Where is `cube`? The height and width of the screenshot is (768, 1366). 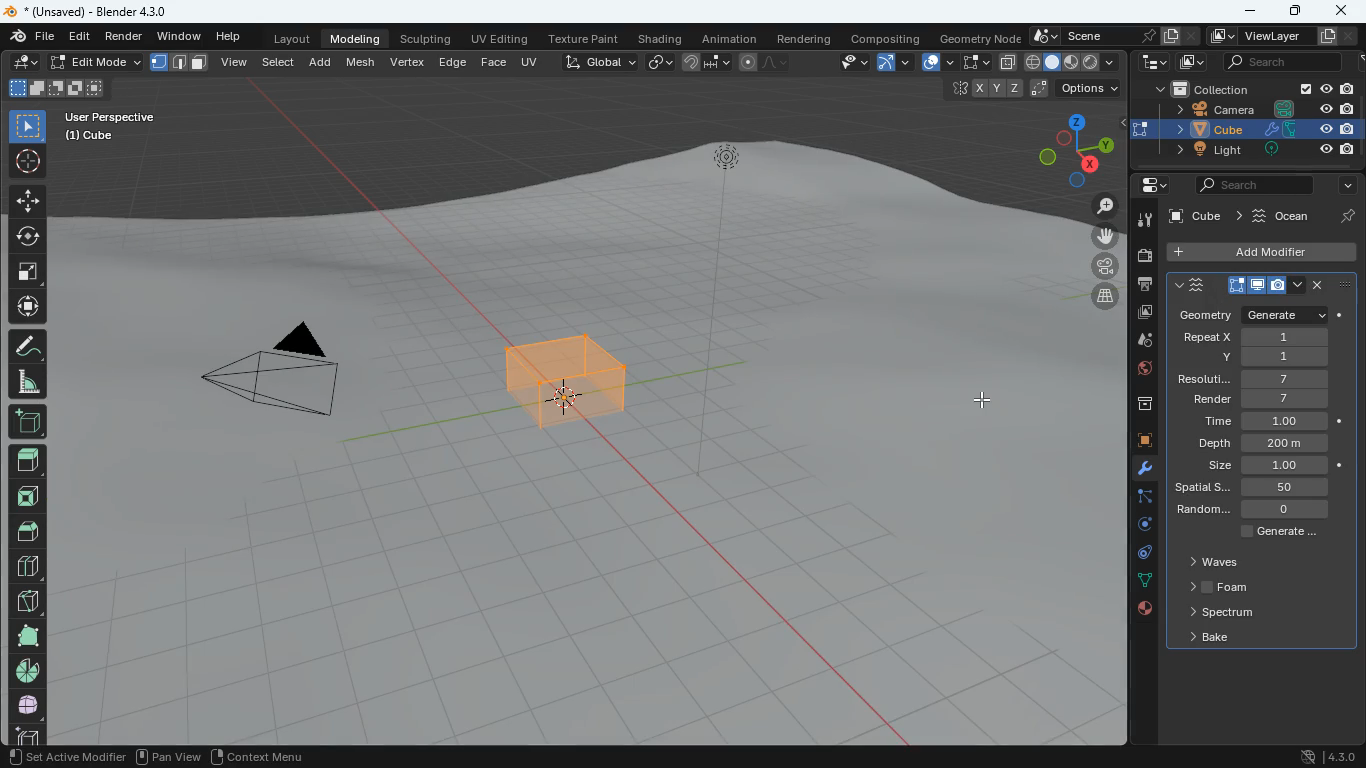
cube is located at coordinates (1249, 129).